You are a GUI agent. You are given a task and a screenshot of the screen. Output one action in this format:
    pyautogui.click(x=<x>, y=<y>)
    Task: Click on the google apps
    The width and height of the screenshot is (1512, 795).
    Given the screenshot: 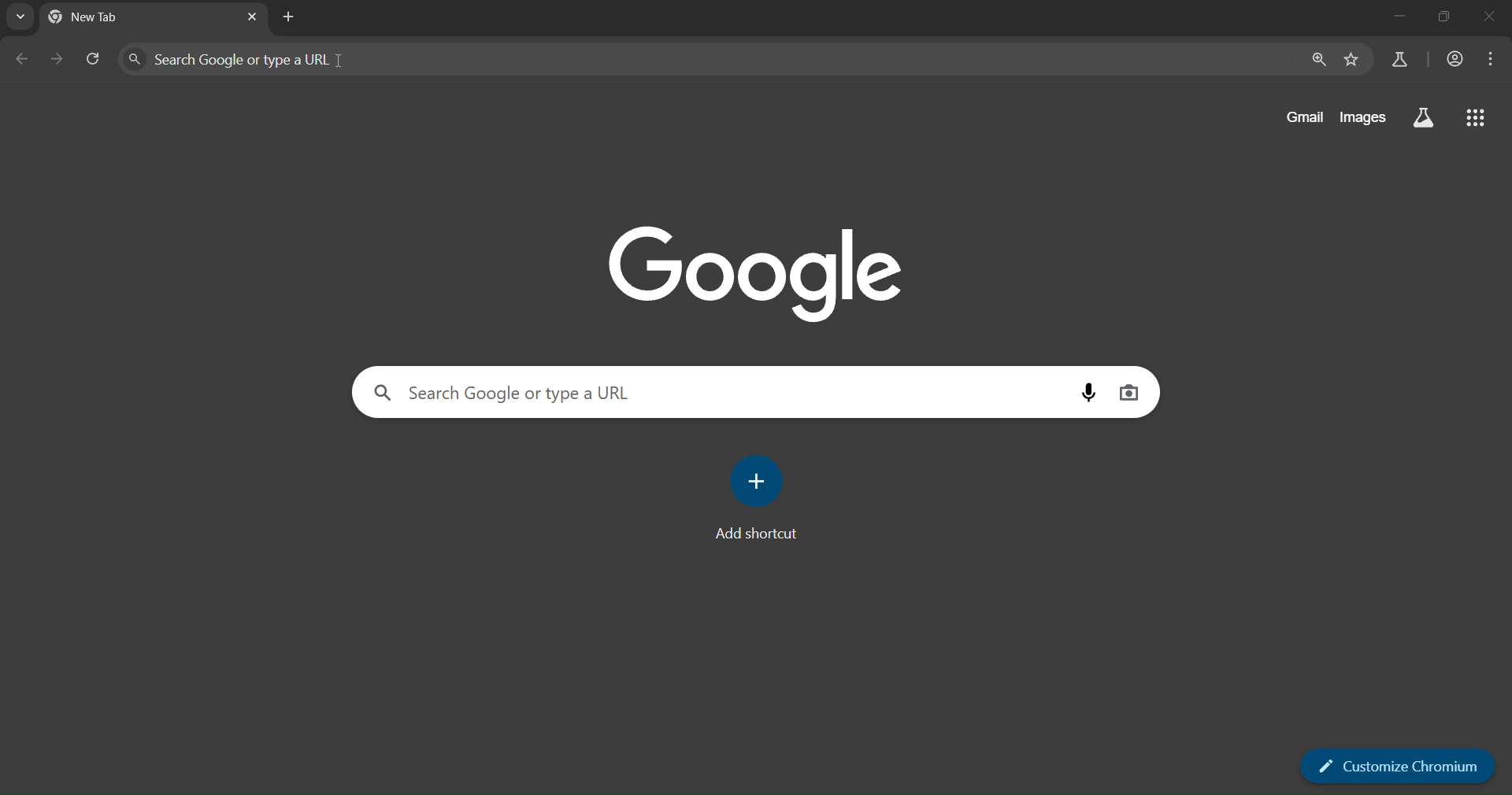 What is the action you would take?
    pyautogui.click(x=1479, y=118)
    